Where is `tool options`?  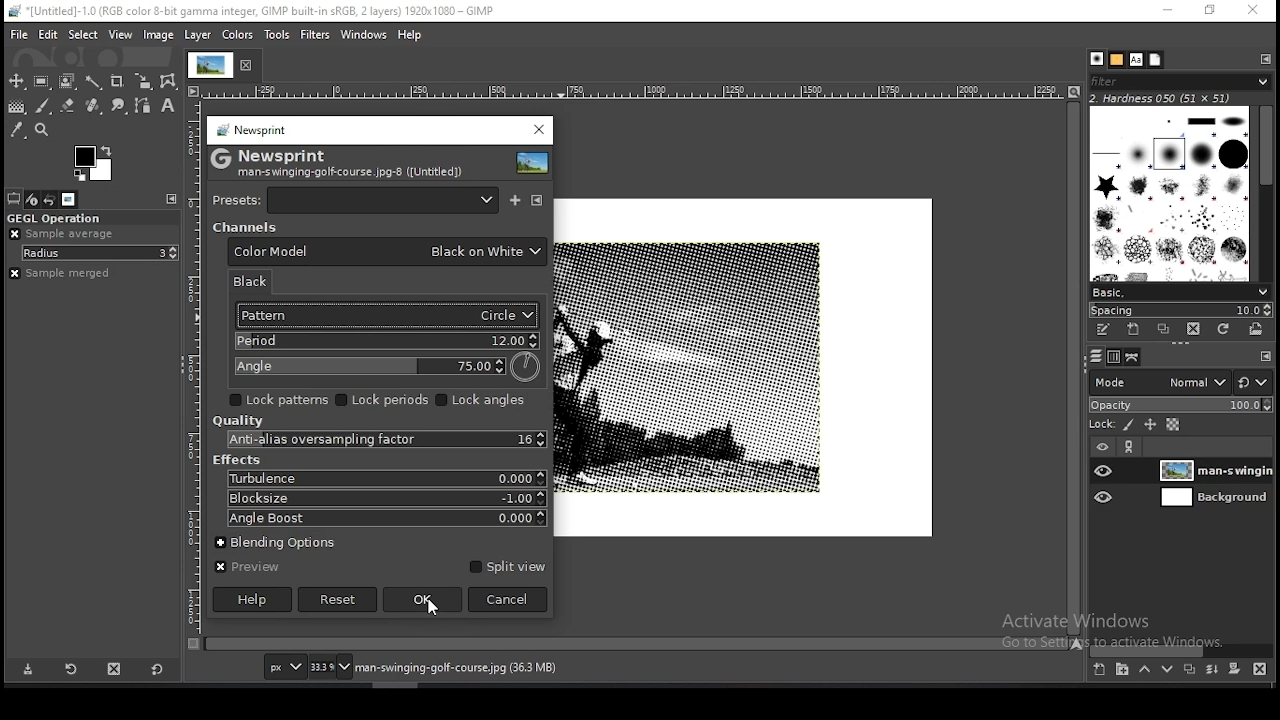 tool options is located at coordinates (14, 198).